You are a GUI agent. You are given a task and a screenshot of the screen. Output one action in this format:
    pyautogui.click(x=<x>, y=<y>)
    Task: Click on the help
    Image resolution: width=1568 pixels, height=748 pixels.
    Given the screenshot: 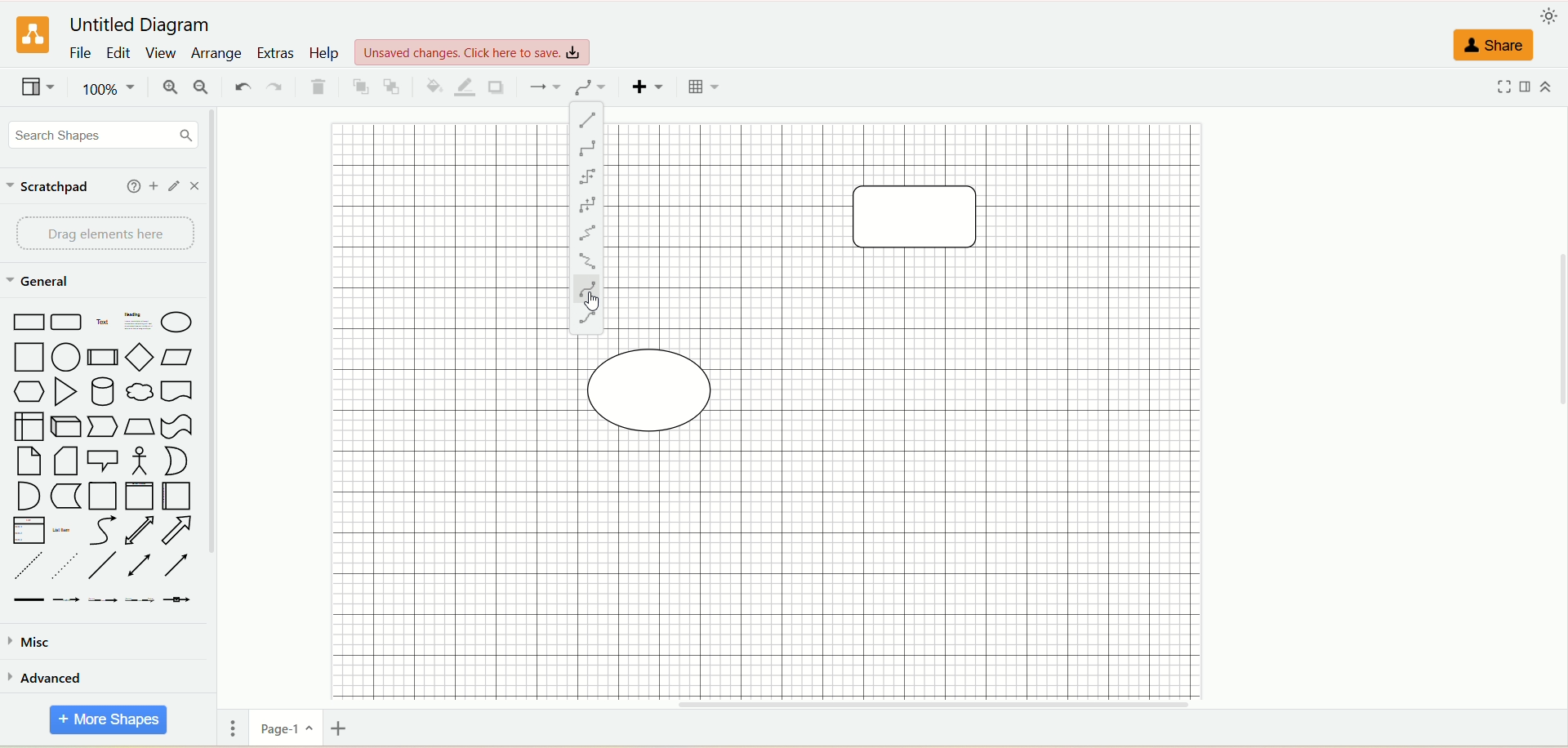 What is the action you would take?
    pyautogui.click(x=128, y=185)
    